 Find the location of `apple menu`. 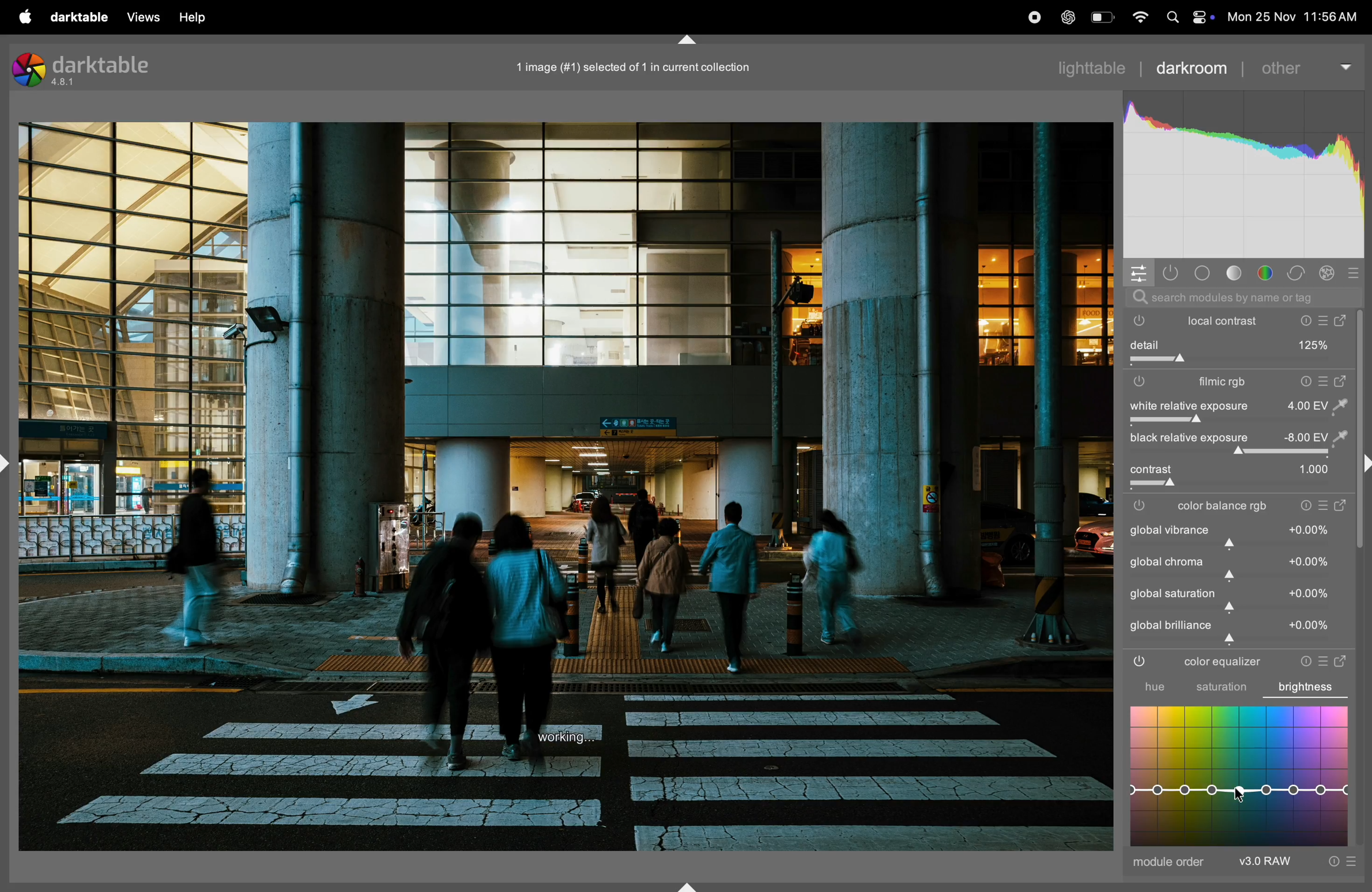

apple menu is located at coordinates (25, 17).